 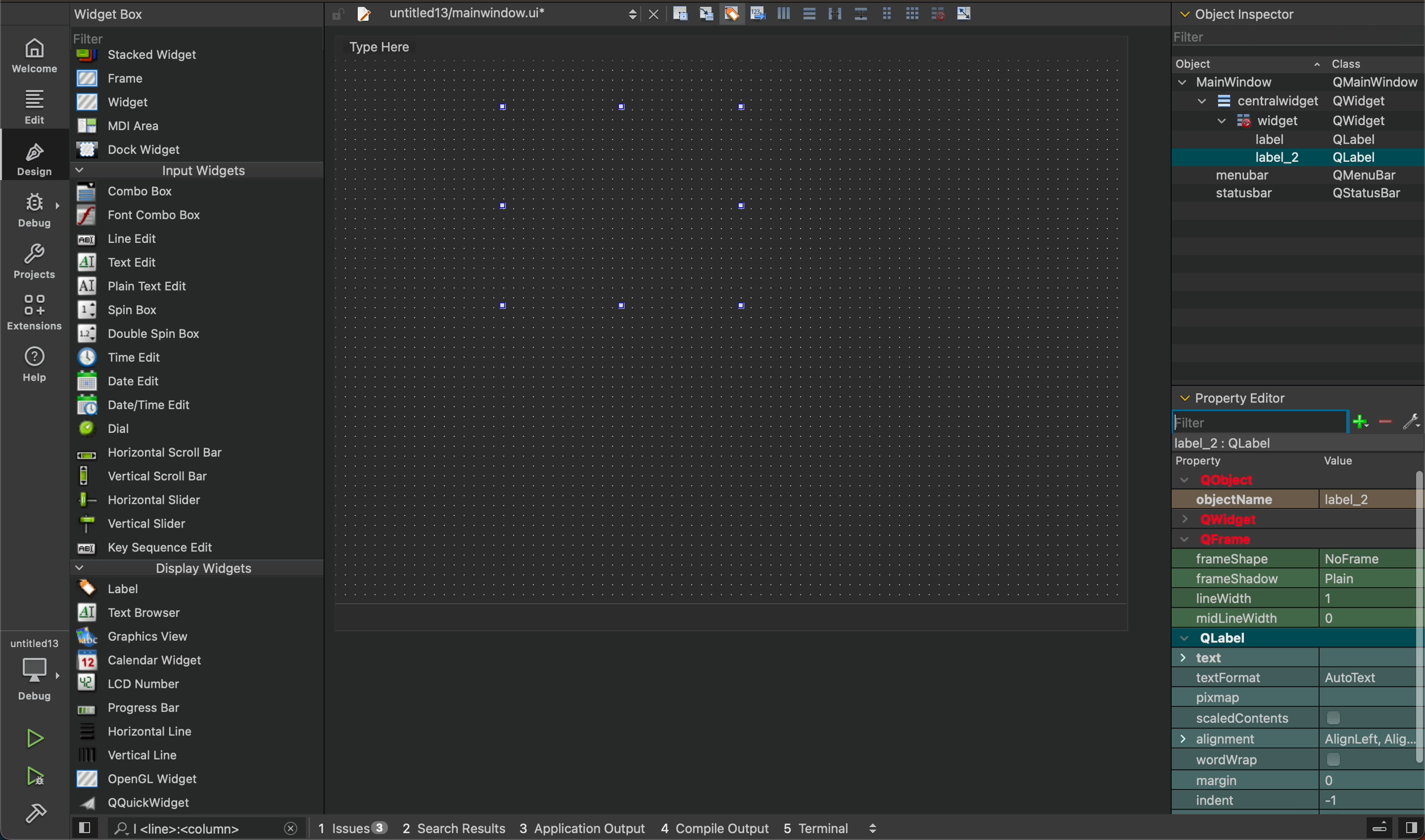 I want to click on alignment, so click(x=1299, y=738).